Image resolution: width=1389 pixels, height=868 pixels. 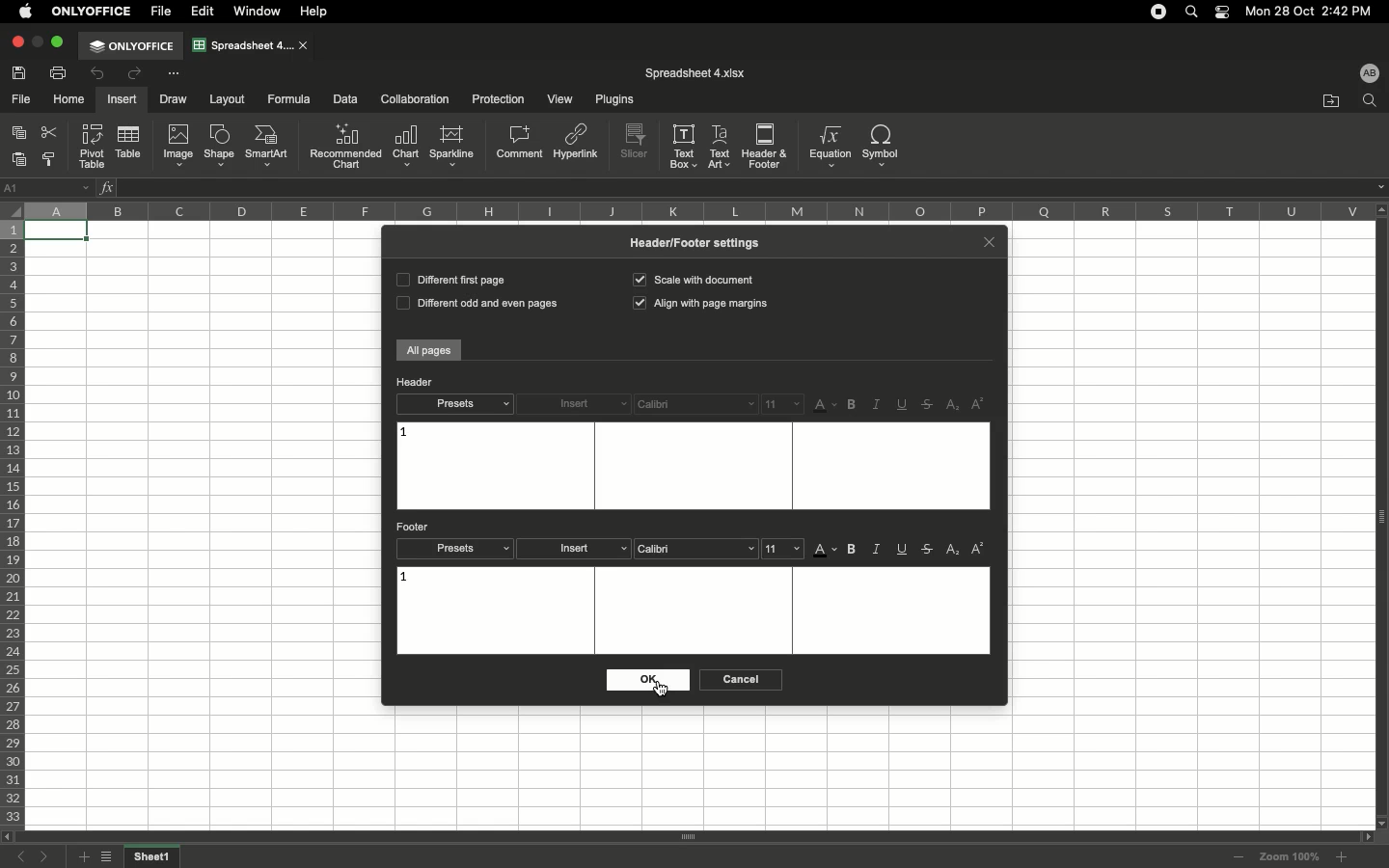 What do you see at coordinates (1224, 13) in the screenshot?
I see `Notification` at bounding box center [1224, 13].